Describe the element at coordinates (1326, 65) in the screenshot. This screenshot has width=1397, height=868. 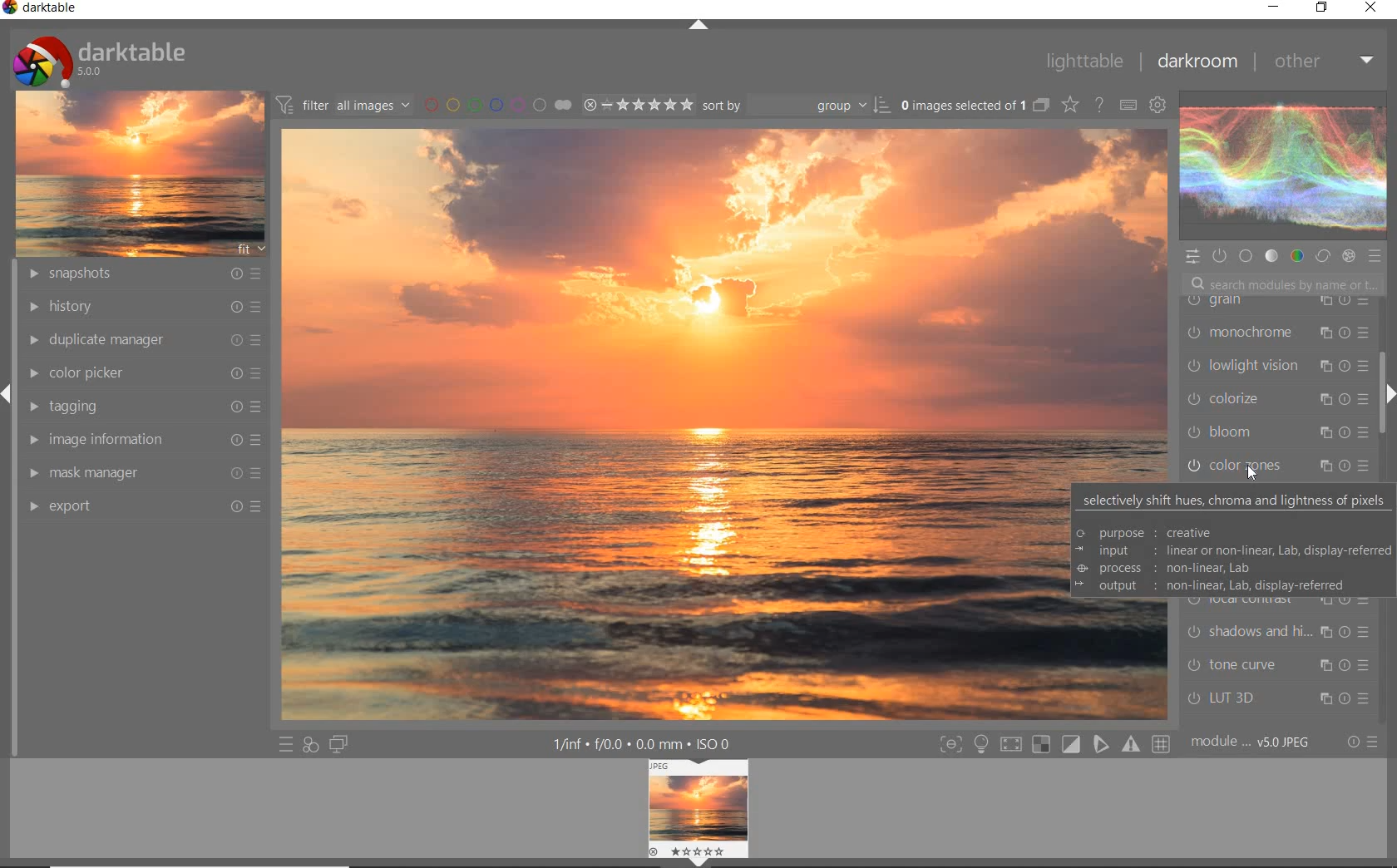
I see `other` at that location.